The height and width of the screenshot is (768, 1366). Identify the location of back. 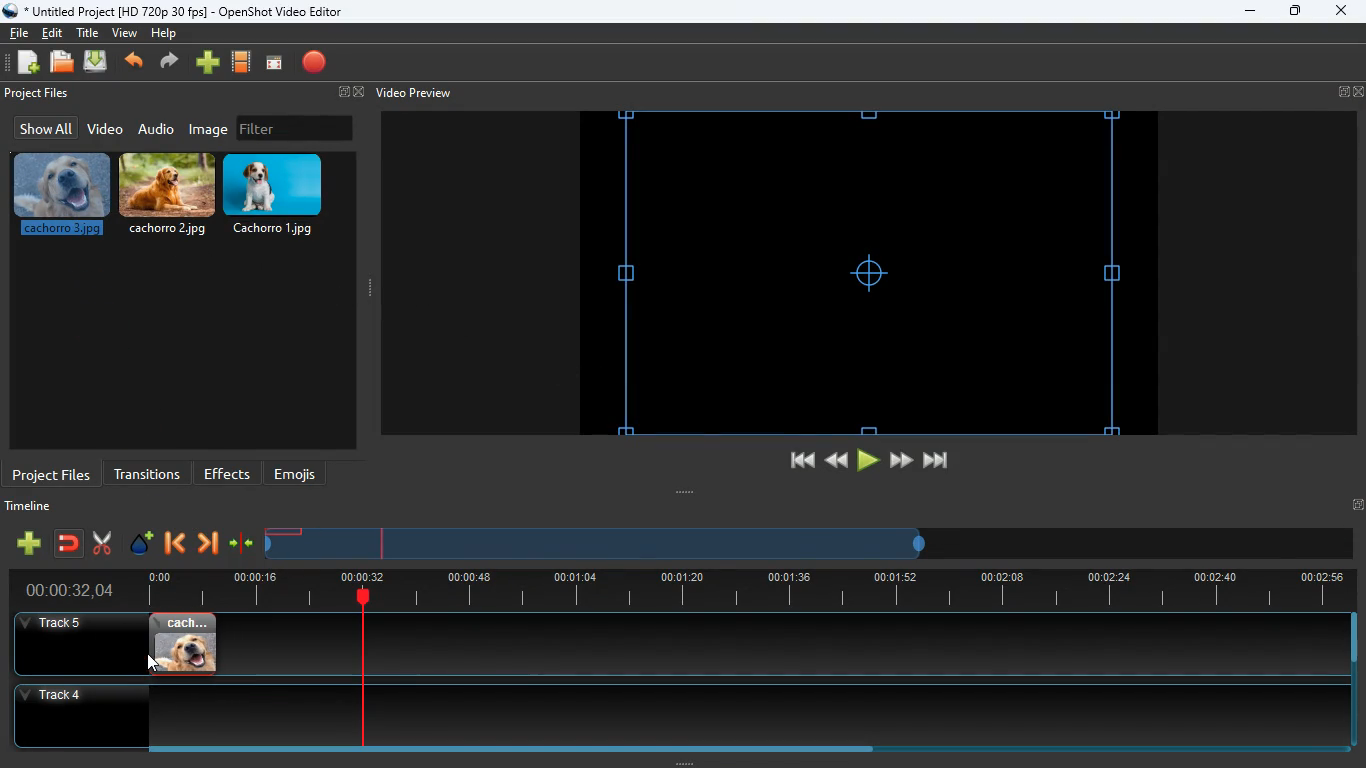
(173, 545).